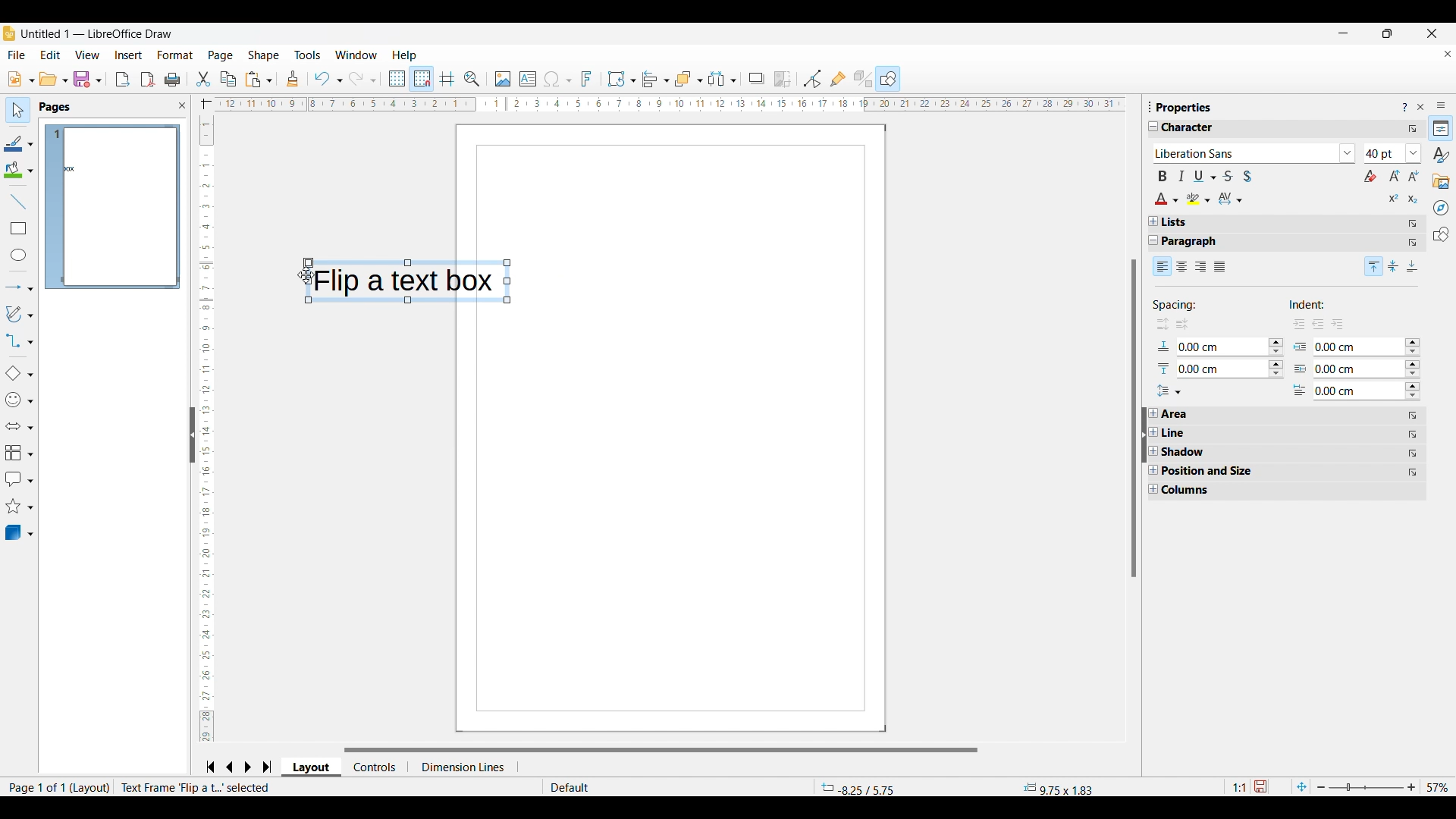 This screenshot has height=819, width=1456. I want to click on decrease space, so click(1160, 325).